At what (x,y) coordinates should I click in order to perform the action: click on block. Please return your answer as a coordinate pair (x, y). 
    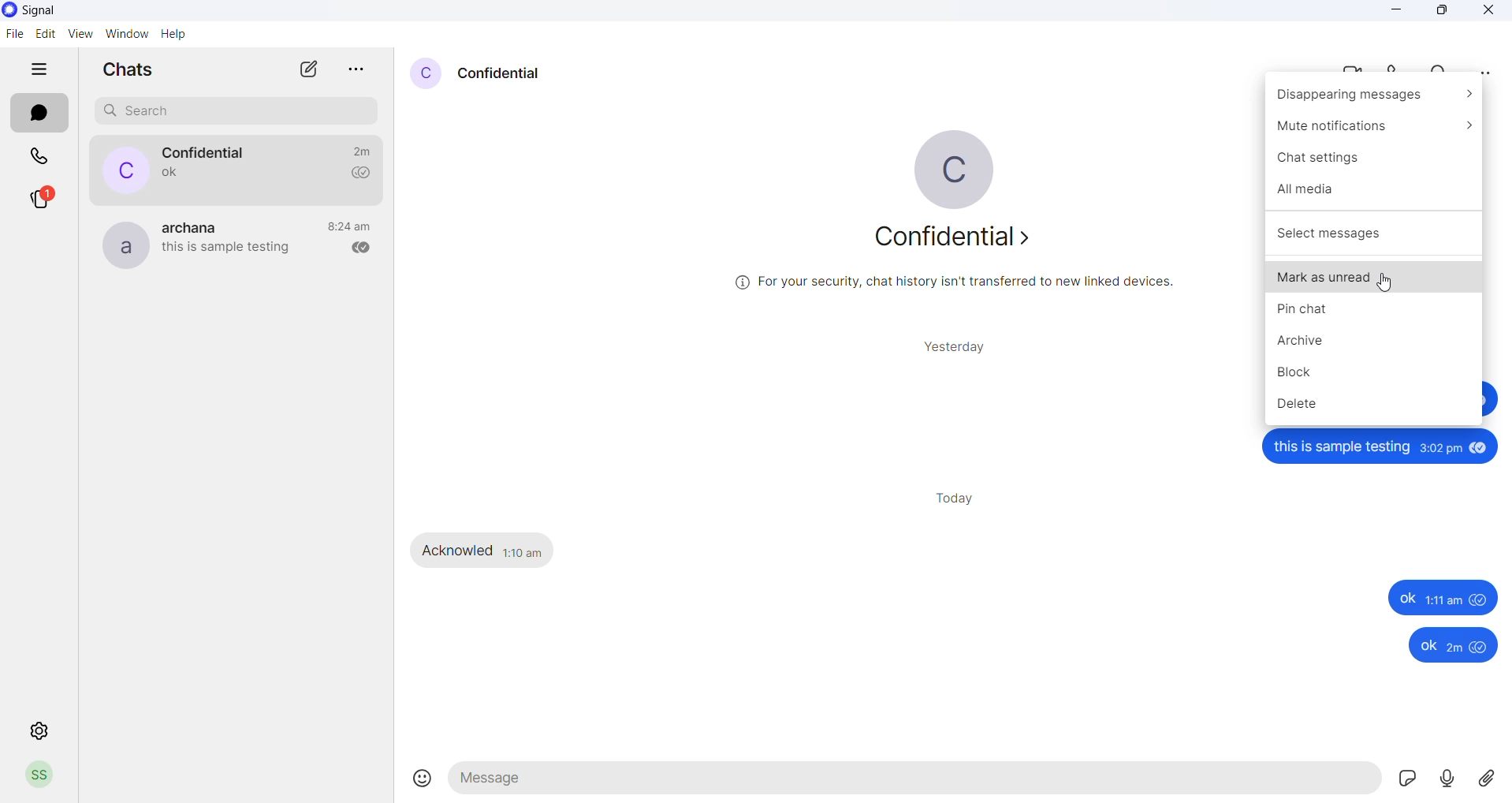
    Looking at the image, I should click on (1376, 372).